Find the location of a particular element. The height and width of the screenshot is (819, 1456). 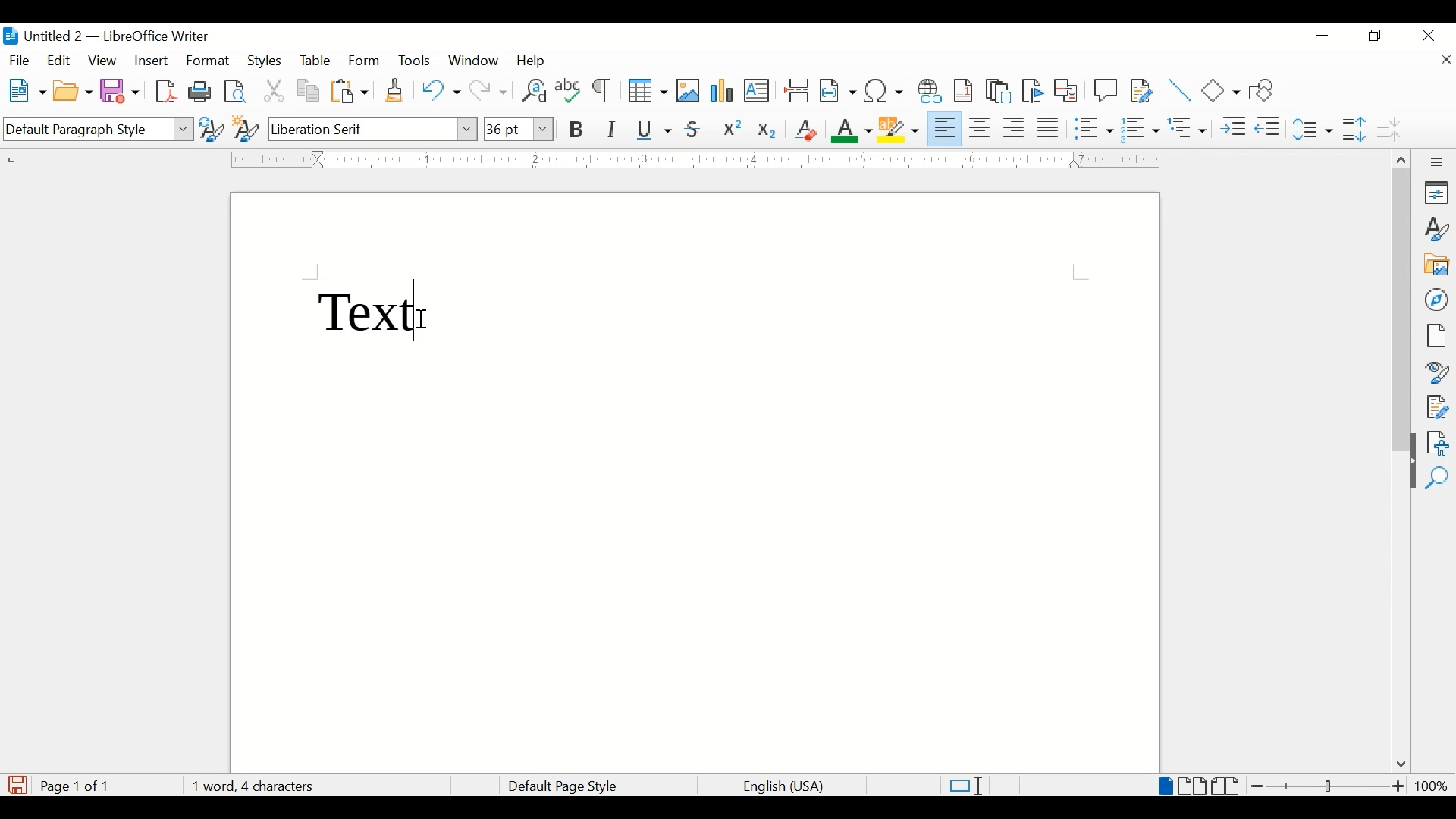

fiel is located at coordinates (20, 61).